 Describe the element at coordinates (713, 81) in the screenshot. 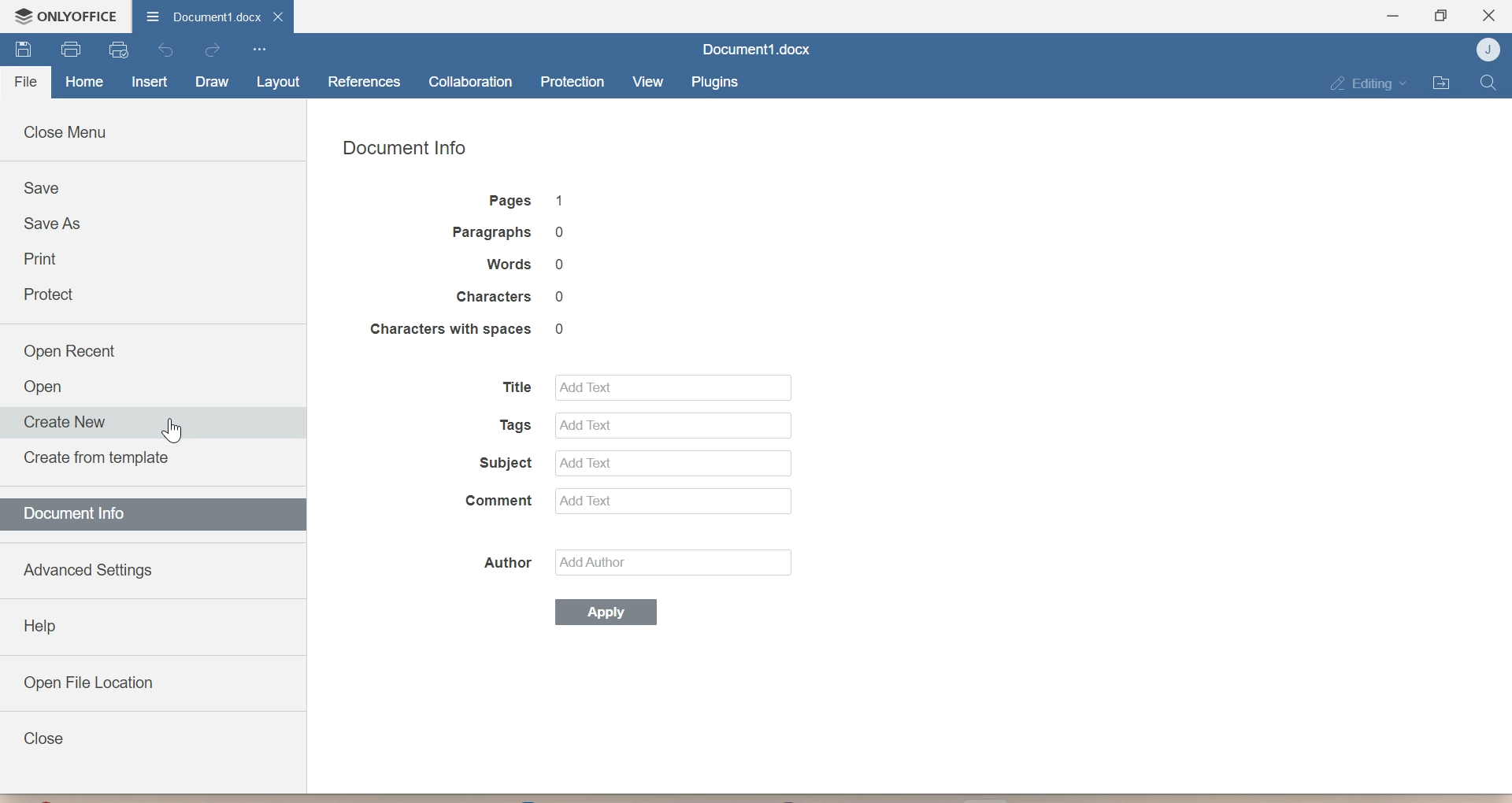

I see `Plugins` at that location.